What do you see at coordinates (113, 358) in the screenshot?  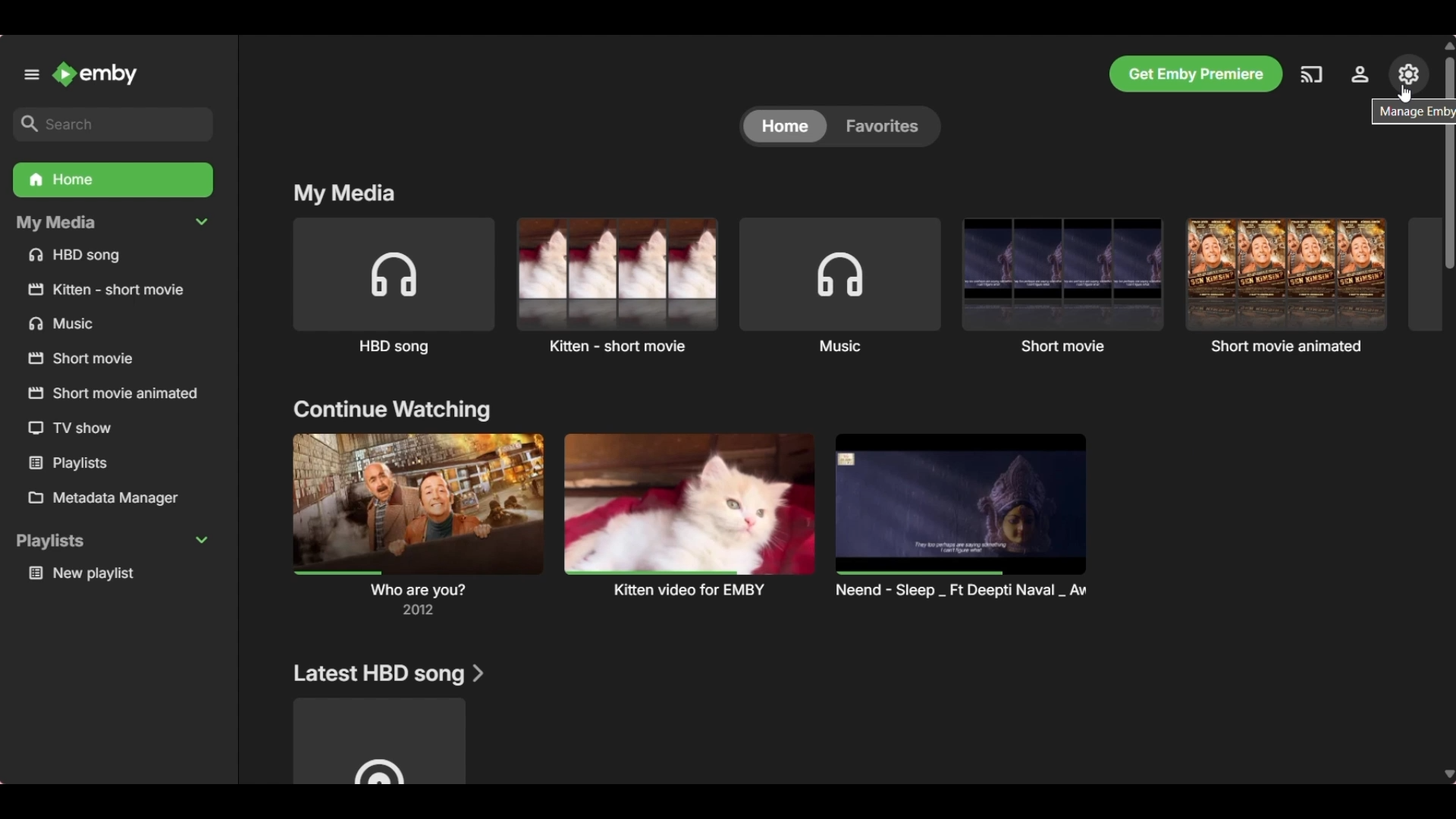 I see `Media files/folders under My Media` at bounding box center [113, 358].